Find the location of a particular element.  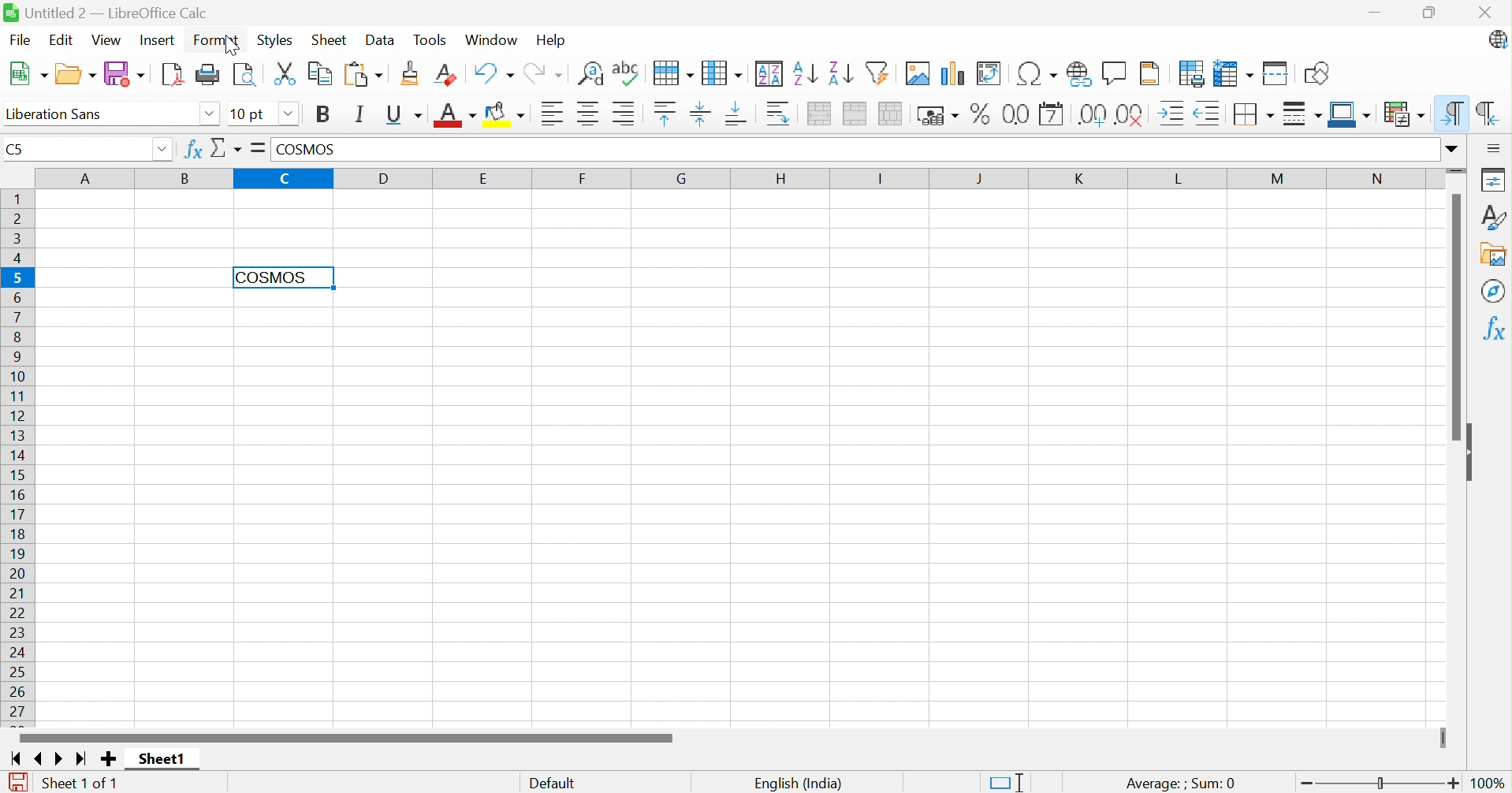

Align Top is located at coordinates (668, 114).